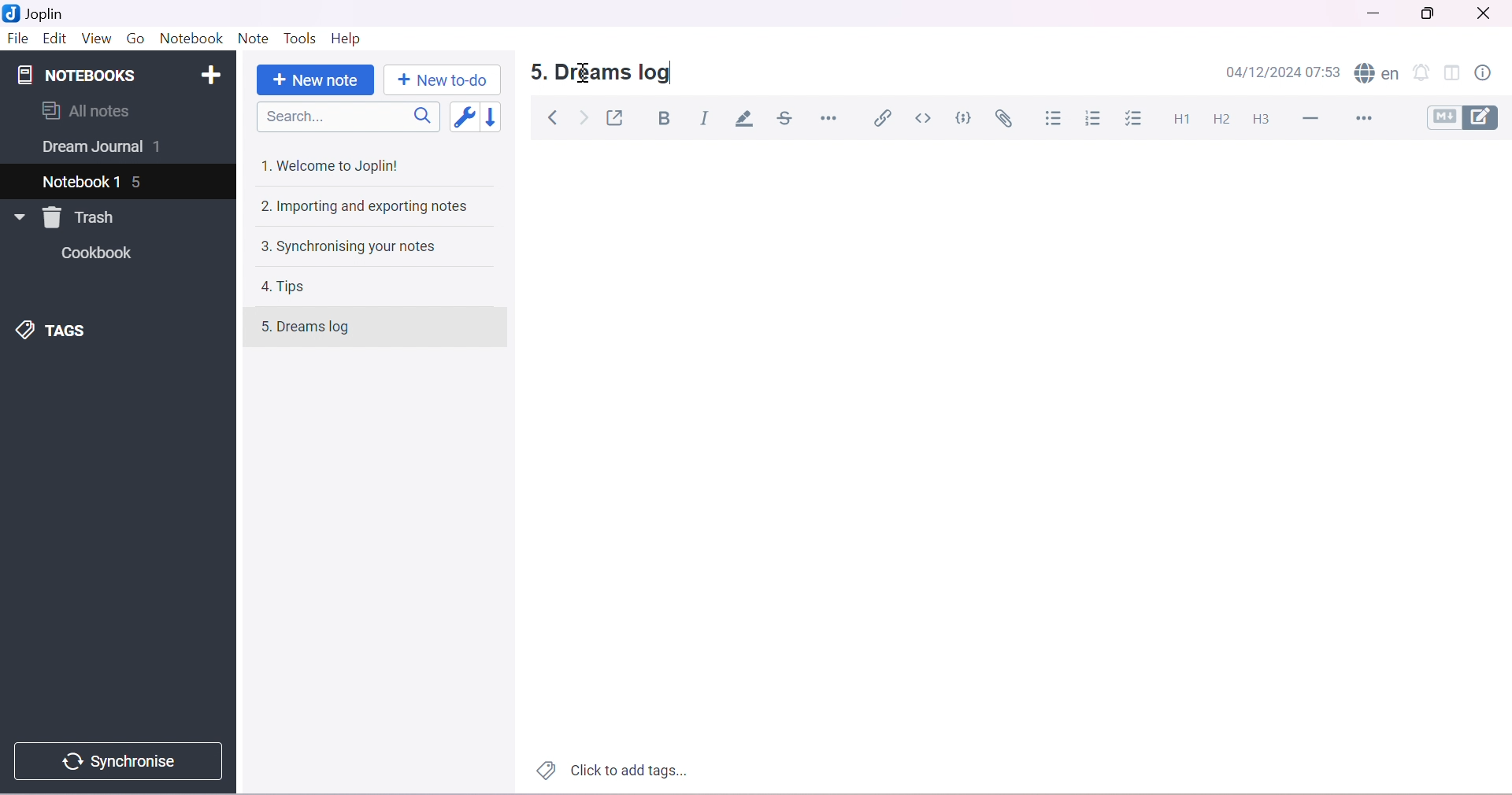  What do you see at coordinates (534, 73) in the screenshot?
I see `5.` at bounding box center [534, 73].